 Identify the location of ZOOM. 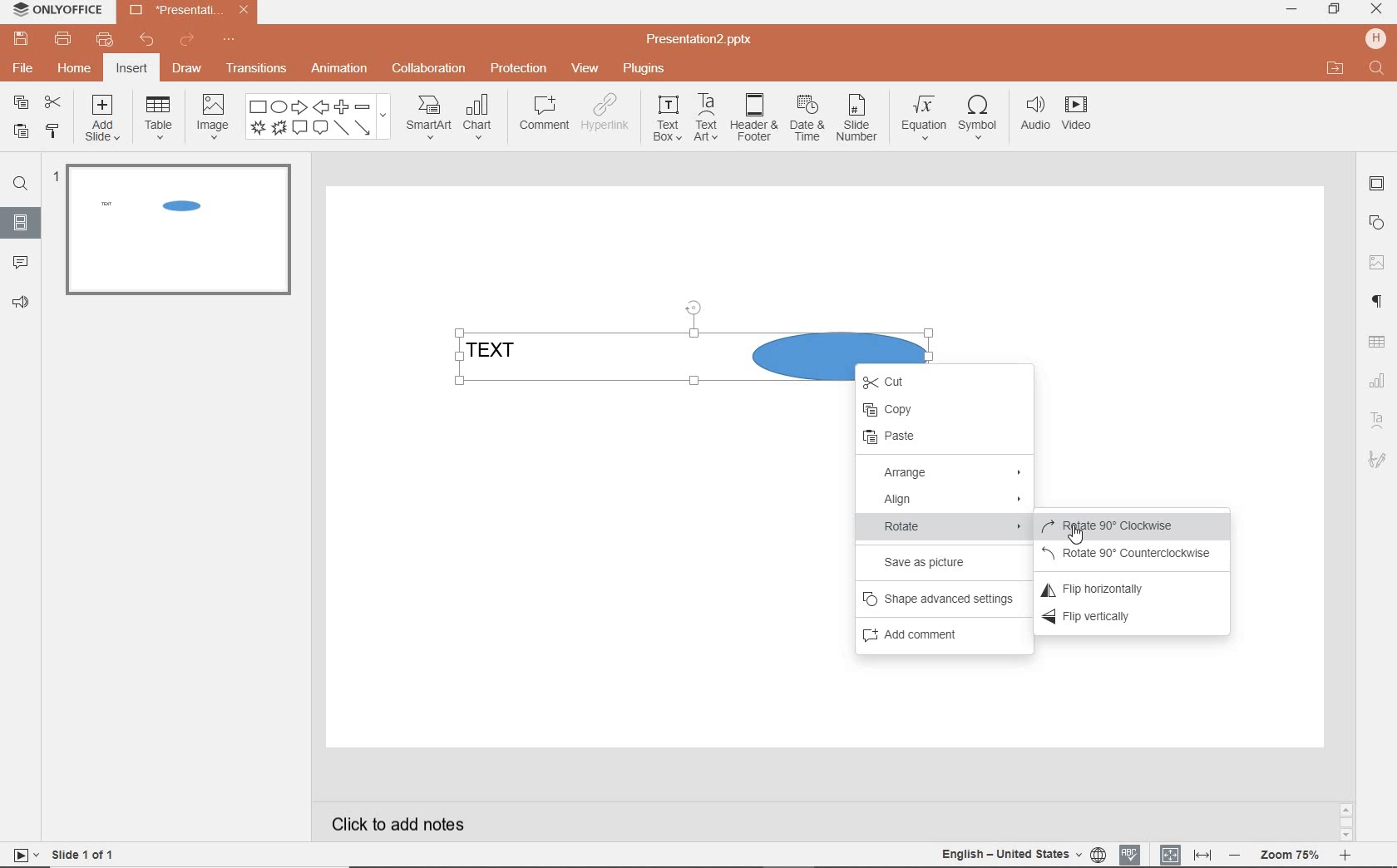
(1289, 857).